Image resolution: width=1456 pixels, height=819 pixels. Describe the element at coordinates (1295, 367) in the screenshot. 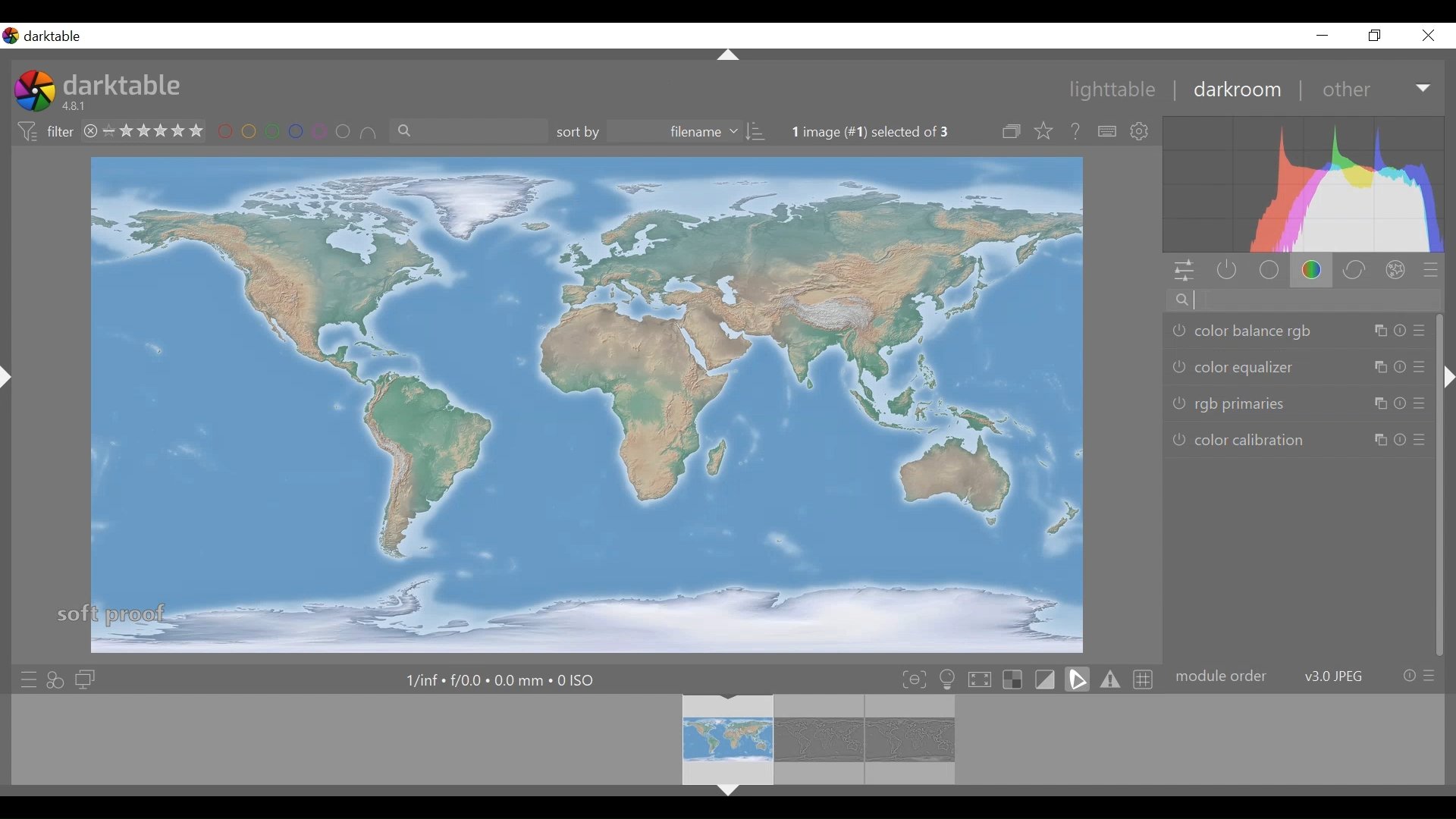

I see `color equalizer` at that location.